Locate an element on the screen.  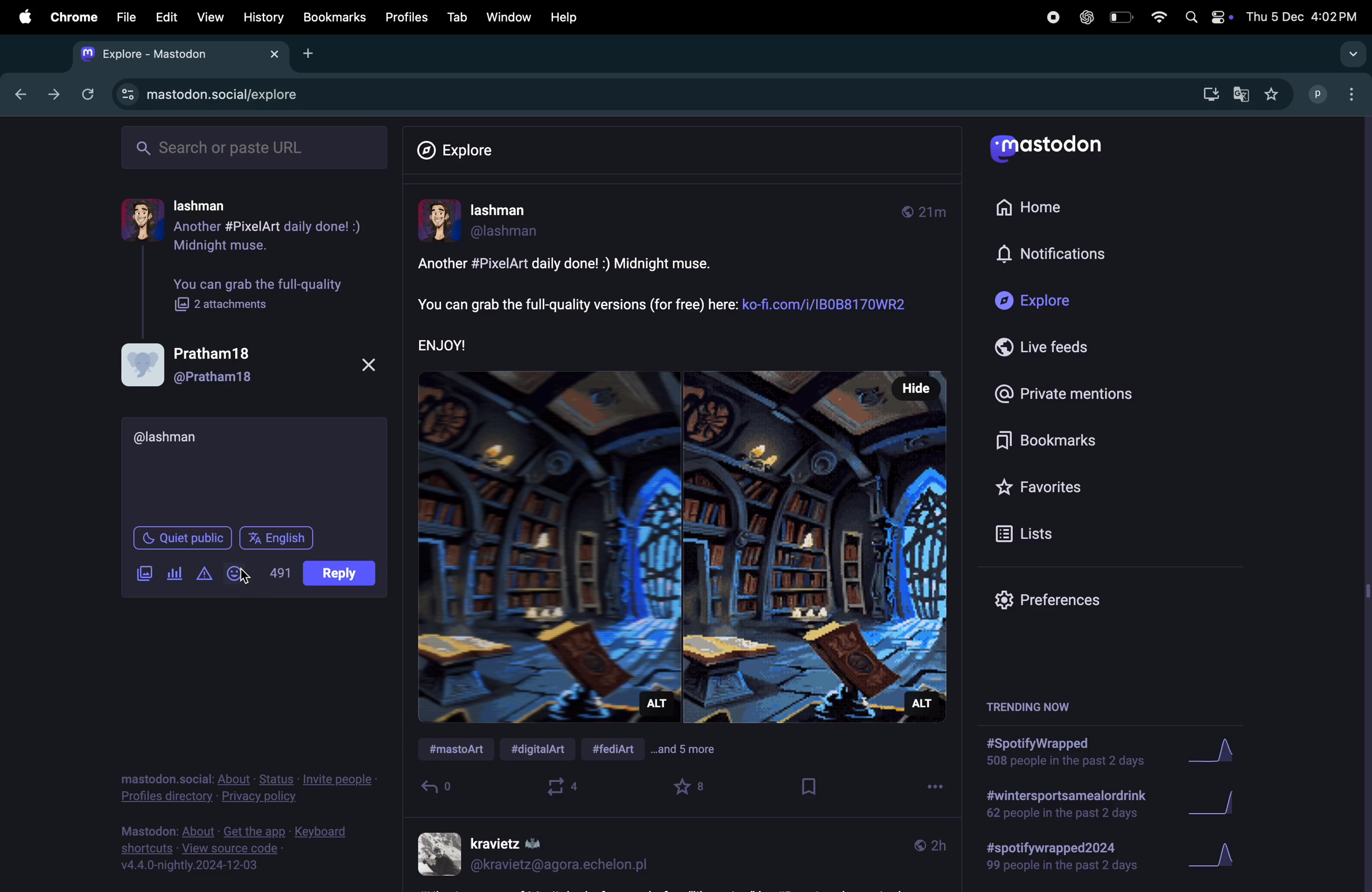
Live feeds is located at coordinates (1062, 347).